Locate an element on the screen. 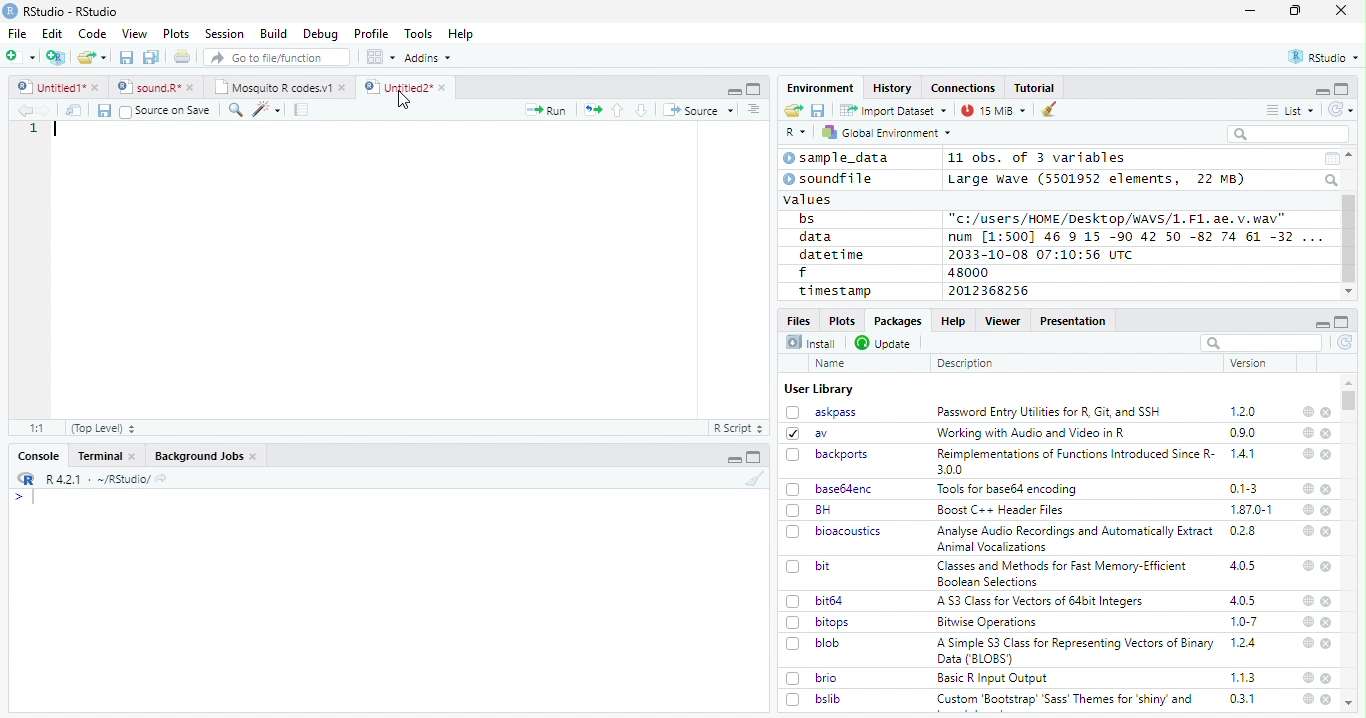 Image resolution: width=1366 pixels, height=718 pixels. soundfile is located at coordinates (829, 179).